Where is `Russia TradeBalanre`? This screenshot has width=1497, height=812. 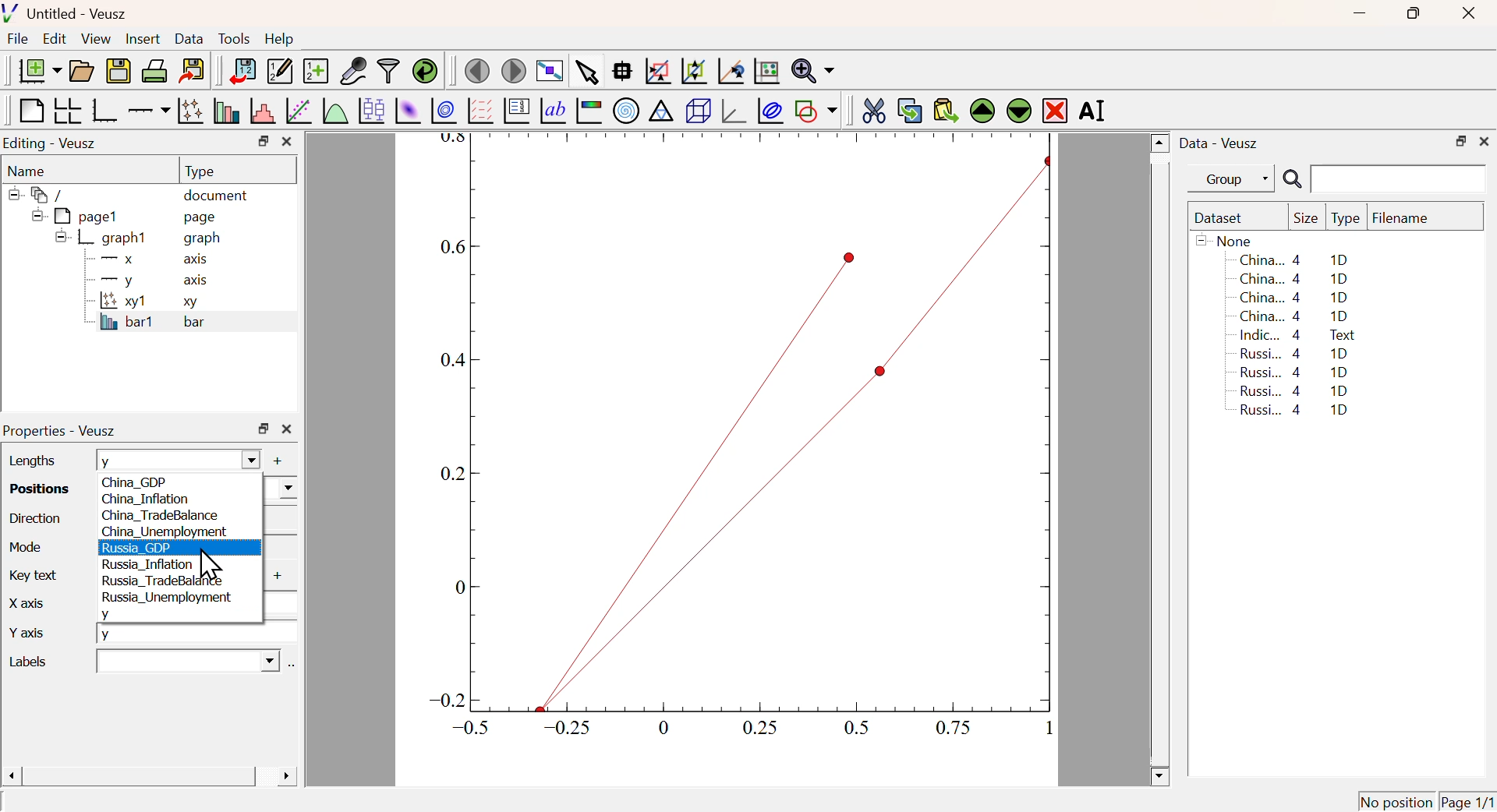
Russia TradeBalanre is located at coordinates (163, 581).